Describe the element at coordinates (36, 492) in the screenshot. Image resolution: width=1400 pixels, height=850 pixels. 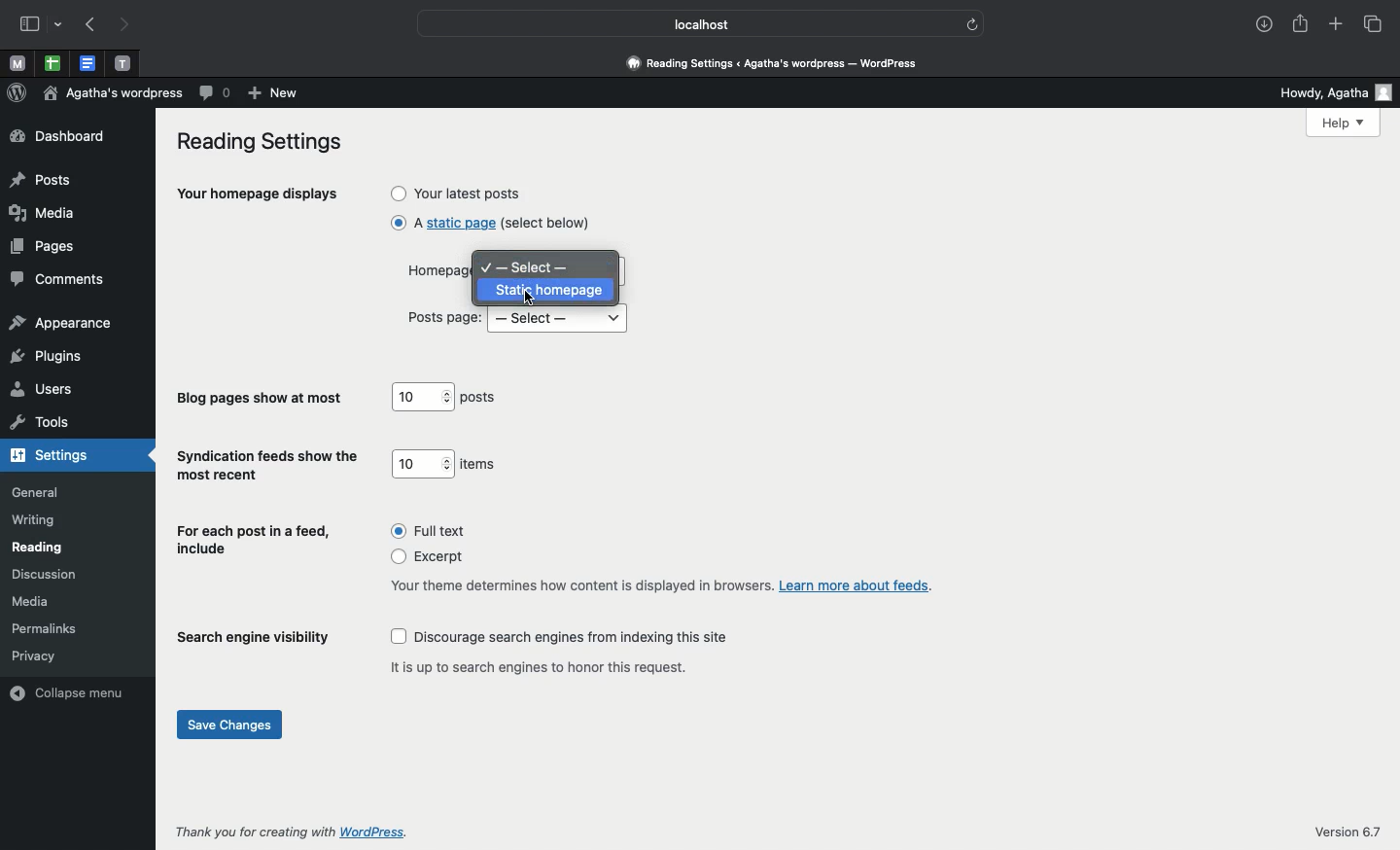
I see `general` at that location.